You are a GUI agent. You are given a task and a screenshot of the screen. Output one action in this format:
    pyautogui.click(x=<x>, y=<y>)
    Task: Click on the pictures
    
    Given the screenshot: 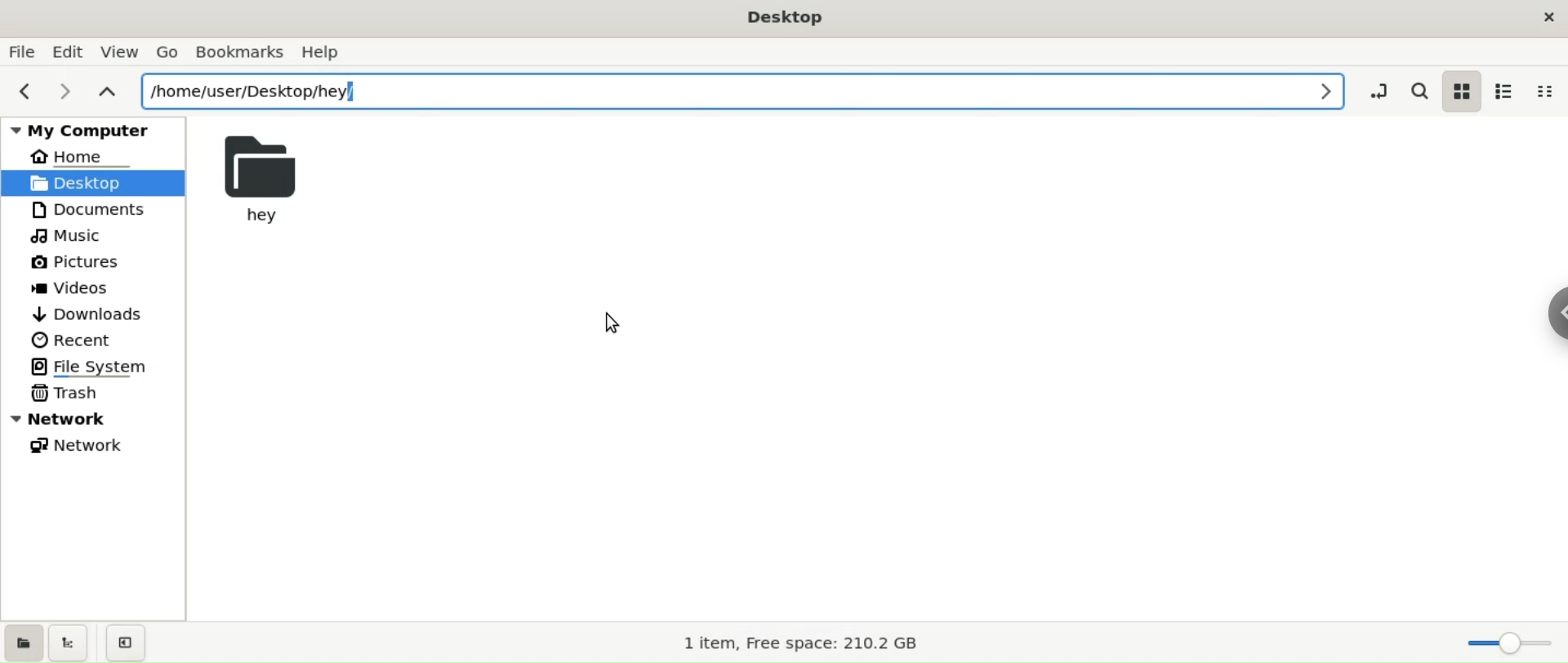 What is the action you would take?
    pyautogui.click(x=78, y=263)
    